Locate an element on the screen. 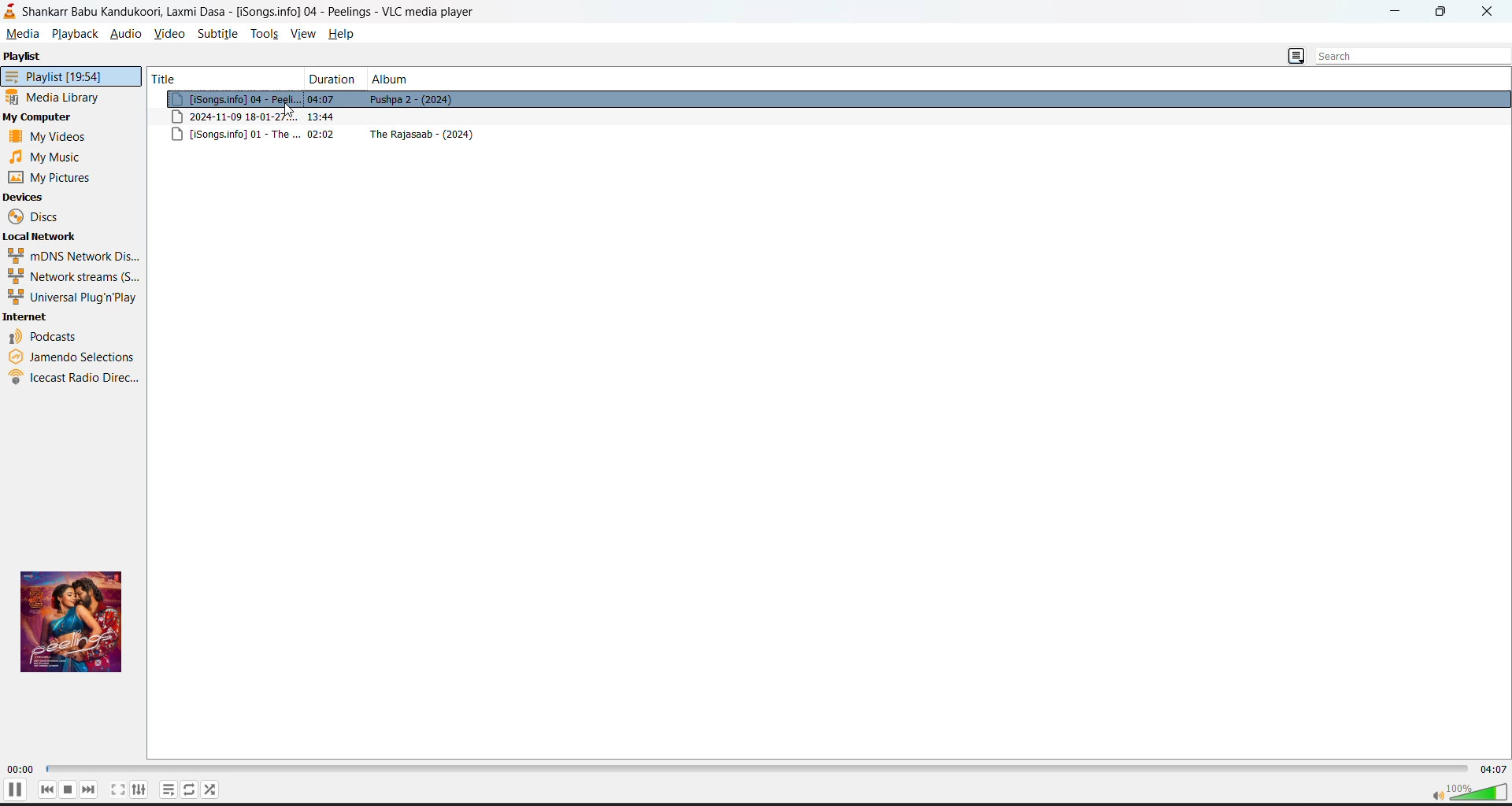 This screenshot has width=1512, height=806. toggle playlist is located at coordinates (169, 789).